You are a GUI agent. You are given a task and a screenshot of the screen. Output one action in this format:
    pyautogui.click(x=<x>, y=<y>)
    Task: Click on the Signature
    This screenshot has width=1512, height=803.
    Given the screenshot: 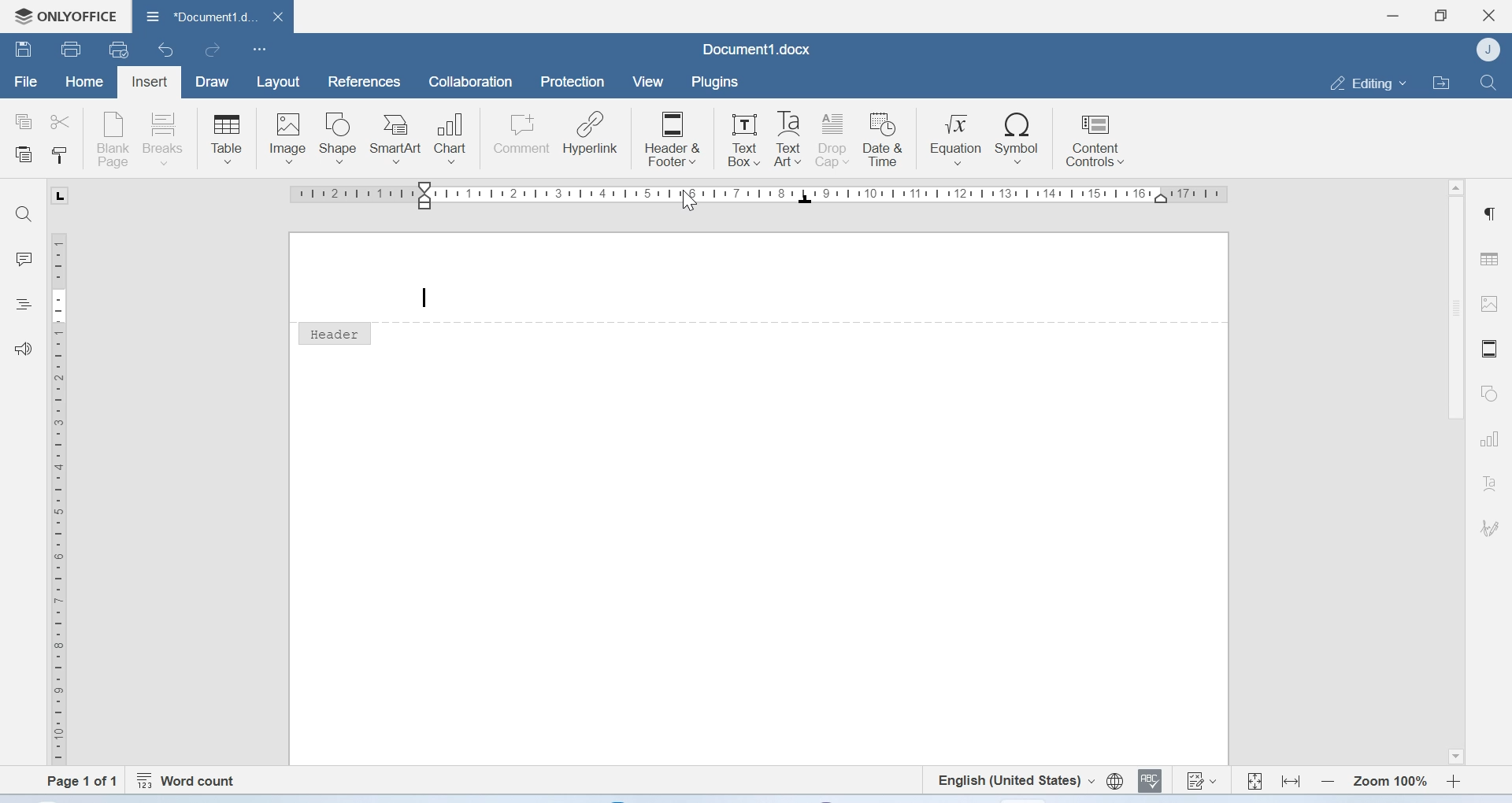 What is the action you would take?
    pyautogui.click(x=1488, y=526)
    